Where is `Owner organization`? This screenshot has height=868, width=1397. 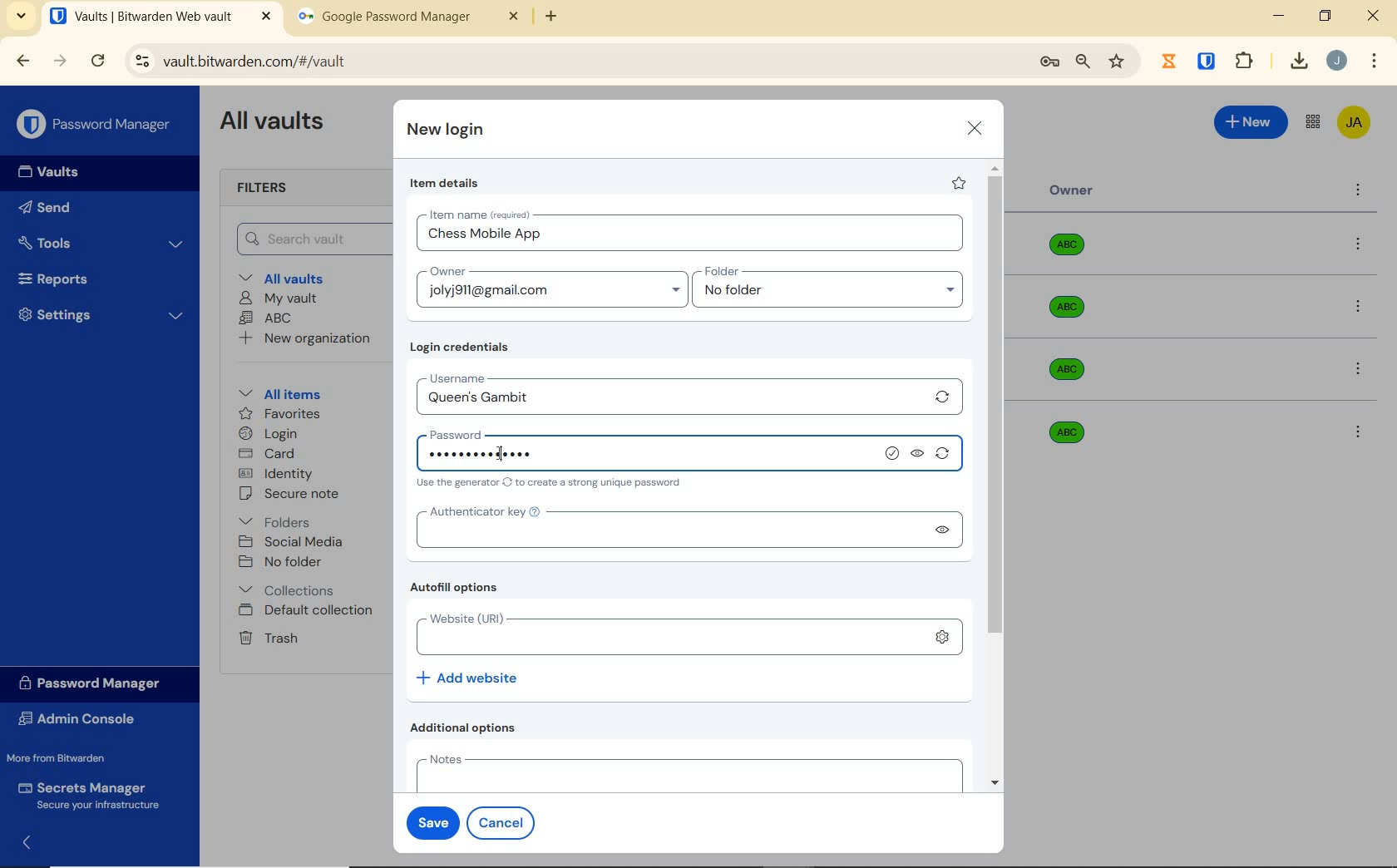 Owner organization is located at coordinates (1063, 431).